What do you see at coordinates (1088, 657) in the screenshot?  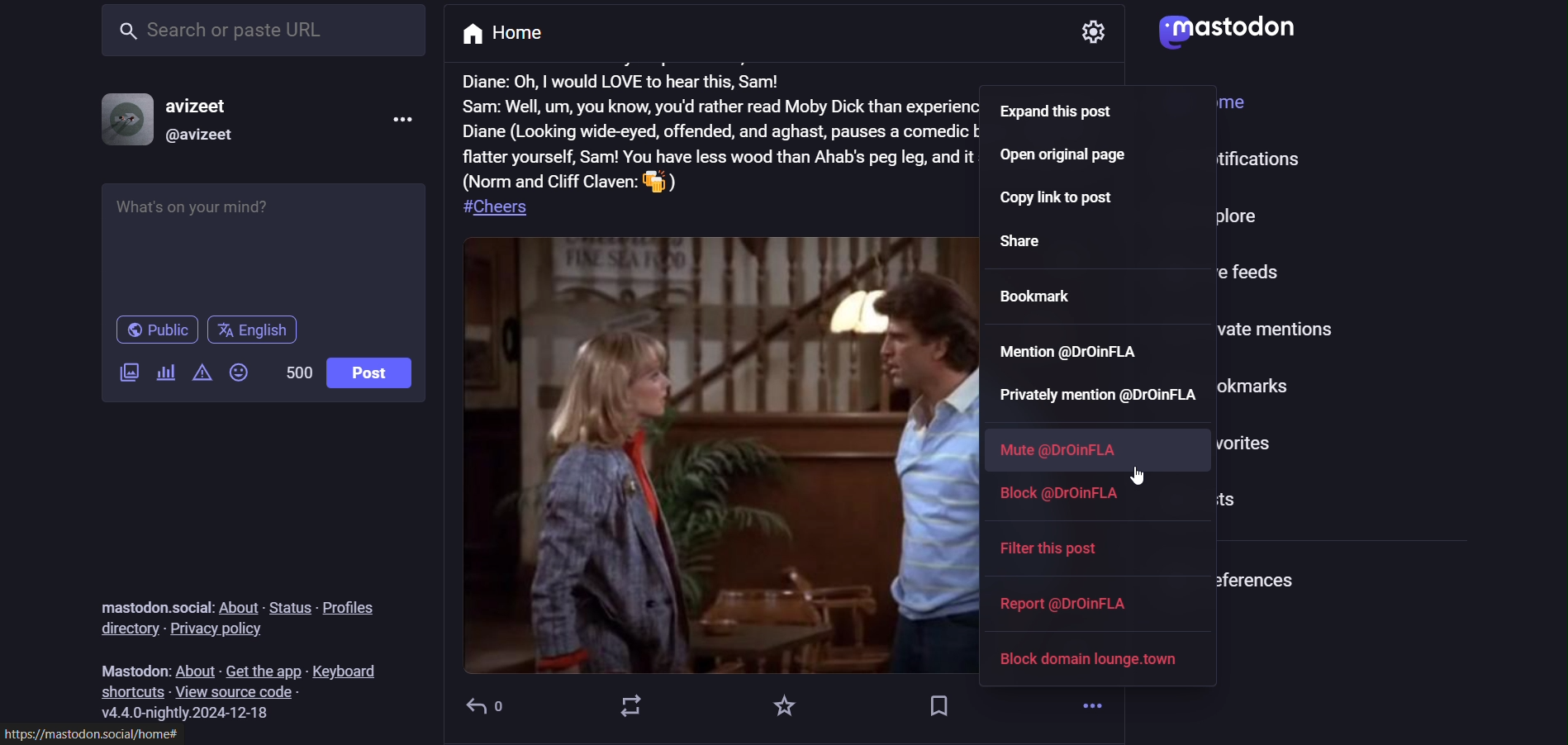 I see `block this user` at bounding box center [1088, 657].